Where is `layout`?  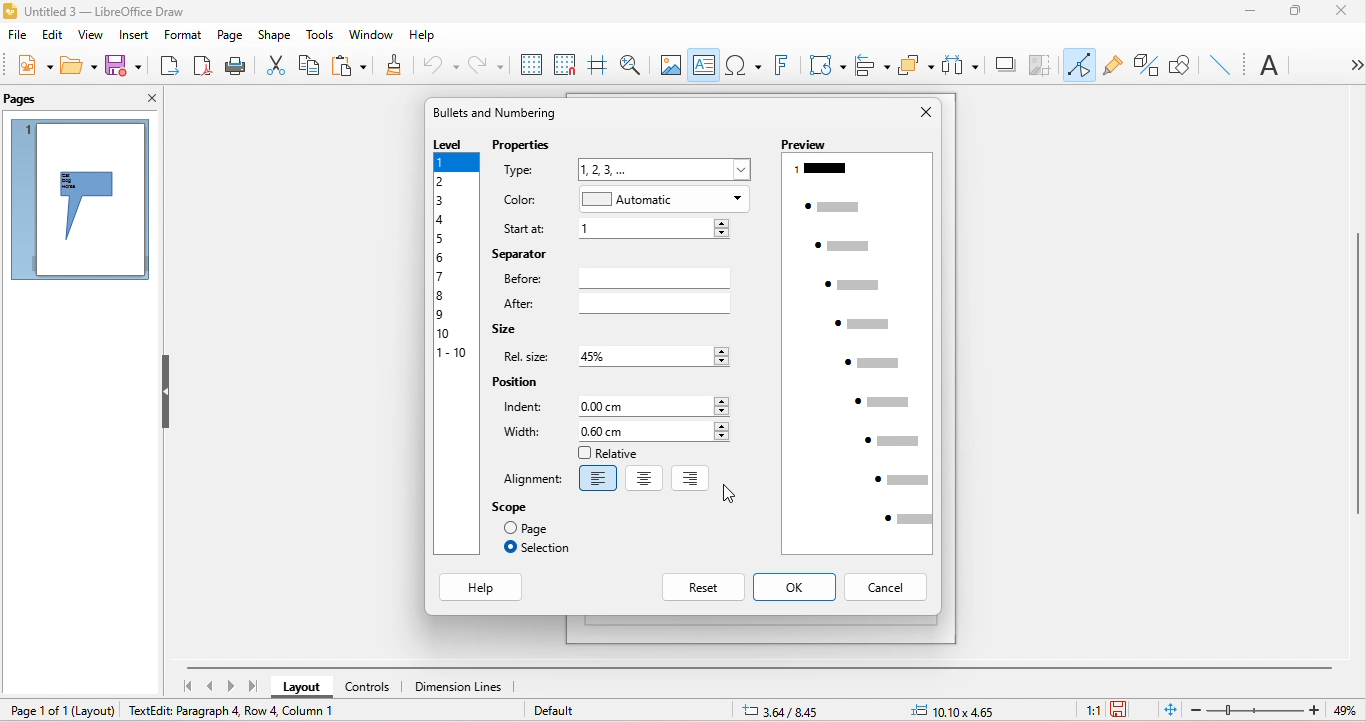 layout is located at coordinates (97, 708).